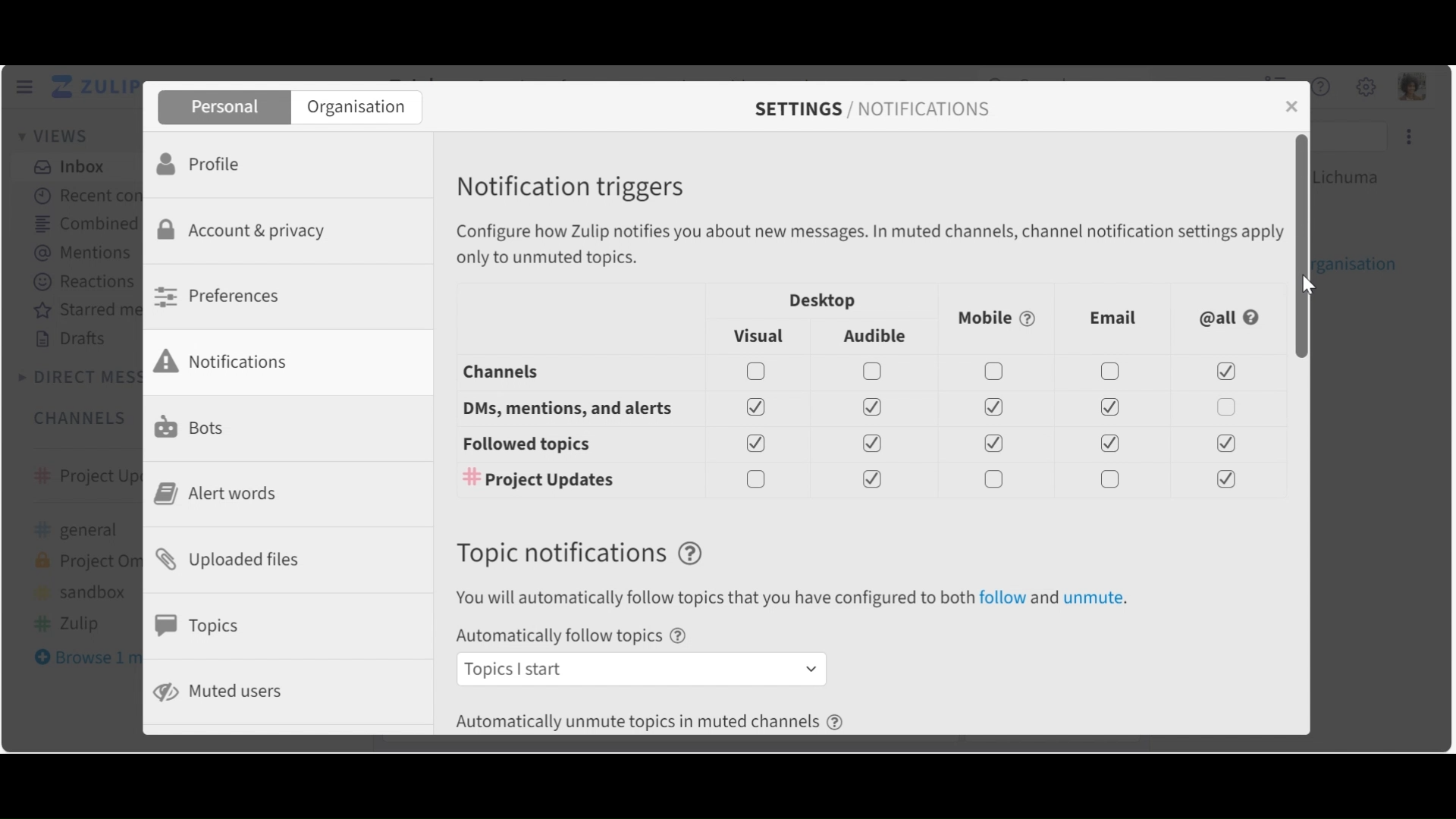 This screenshot has width=1456, height=819. I want to click on Vertical scroll bar, so click(1299, 247).